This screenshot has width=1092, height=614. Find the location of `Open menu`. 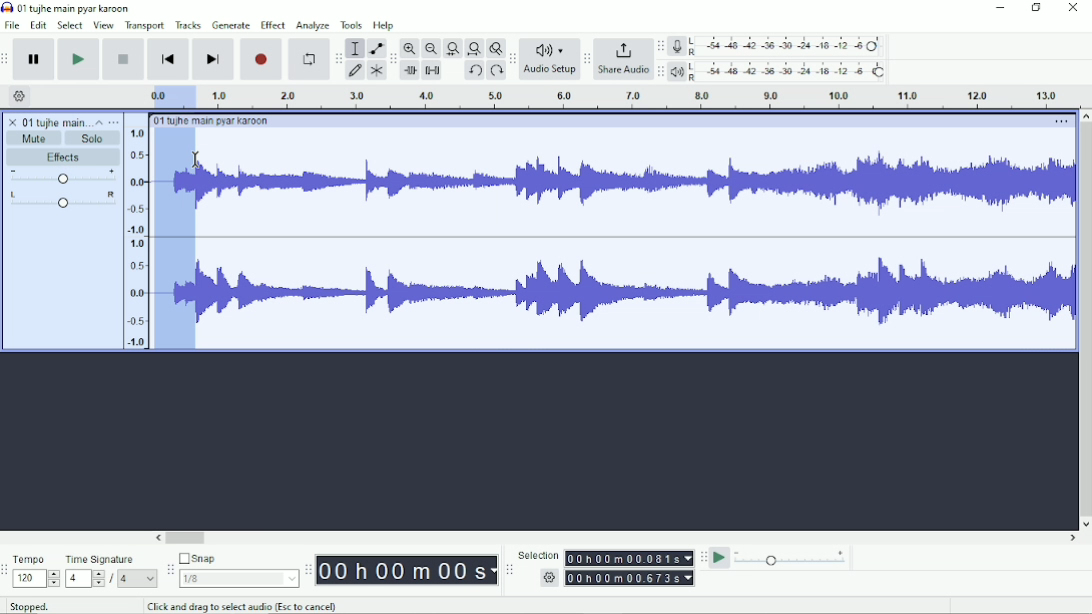

Open menu is located at coordinates (114, 122).